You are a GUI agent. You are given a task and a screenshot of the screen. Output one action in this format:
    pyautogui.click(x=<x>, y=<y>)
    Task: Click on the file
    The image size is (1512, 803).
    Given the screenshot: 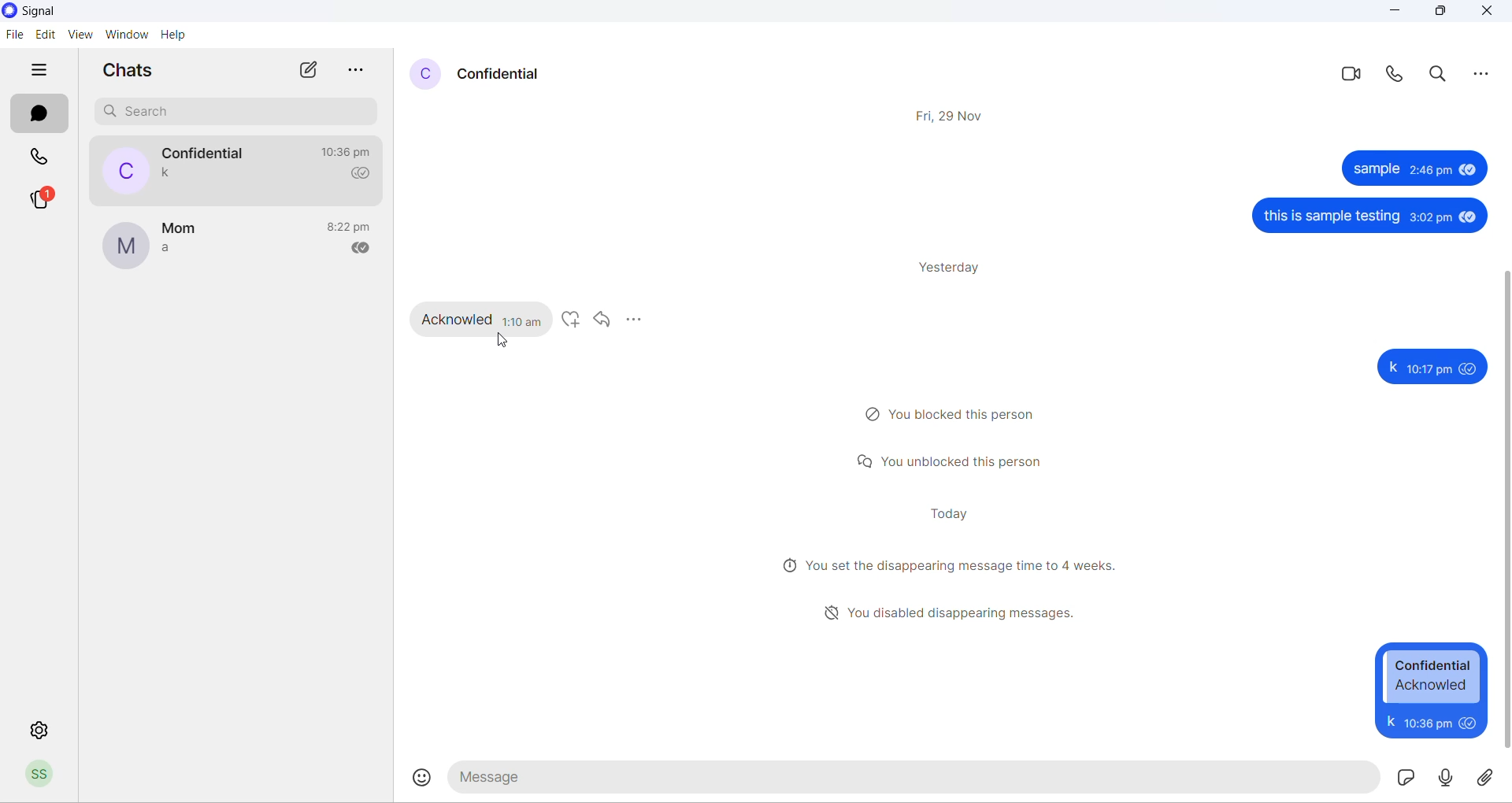 What is the action you would take?
    pyautogui.click(x=17, y=35)
    